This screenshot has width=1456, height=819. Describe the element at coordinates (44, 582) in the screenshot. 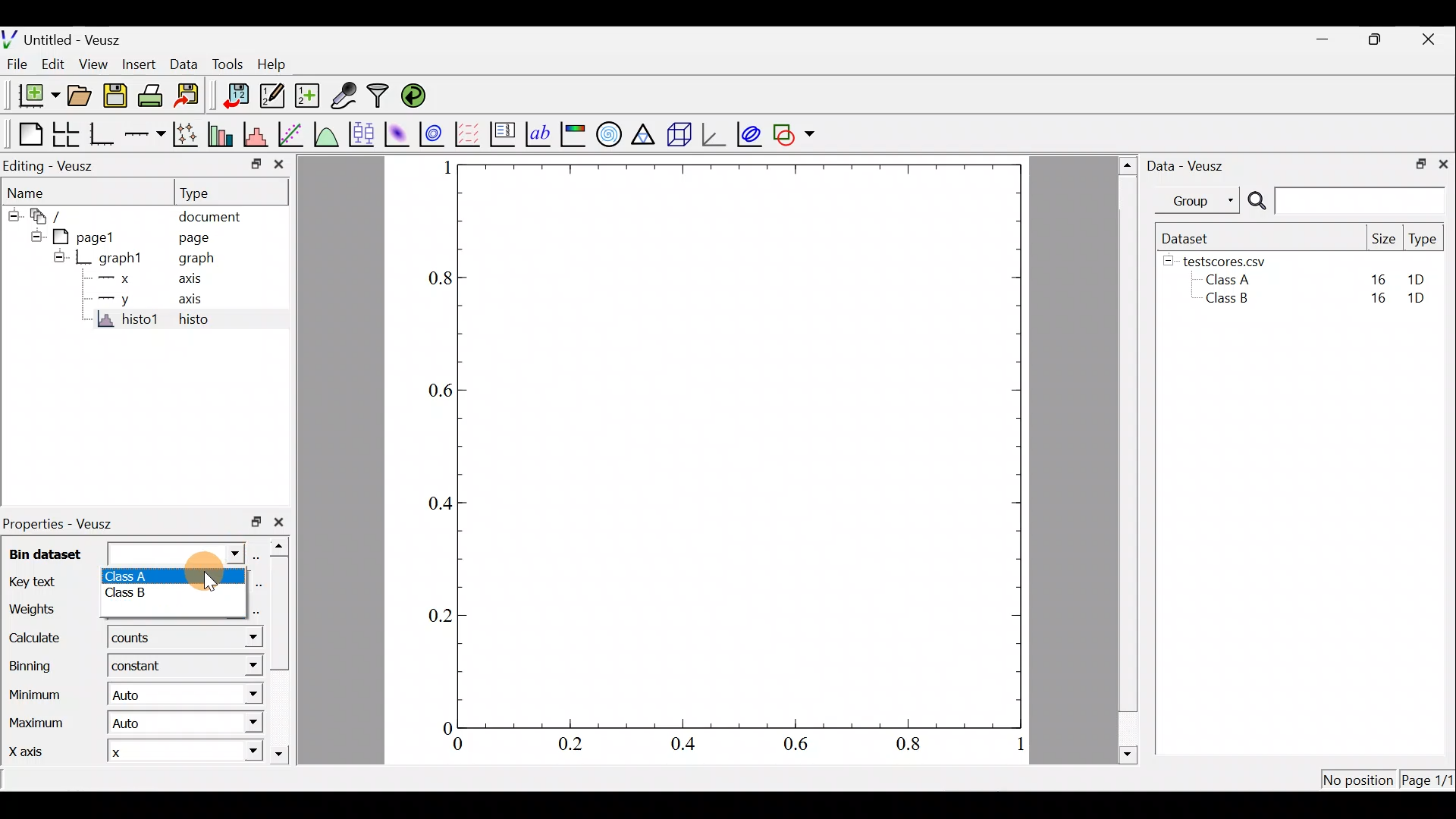

I see `Key text` at that location.